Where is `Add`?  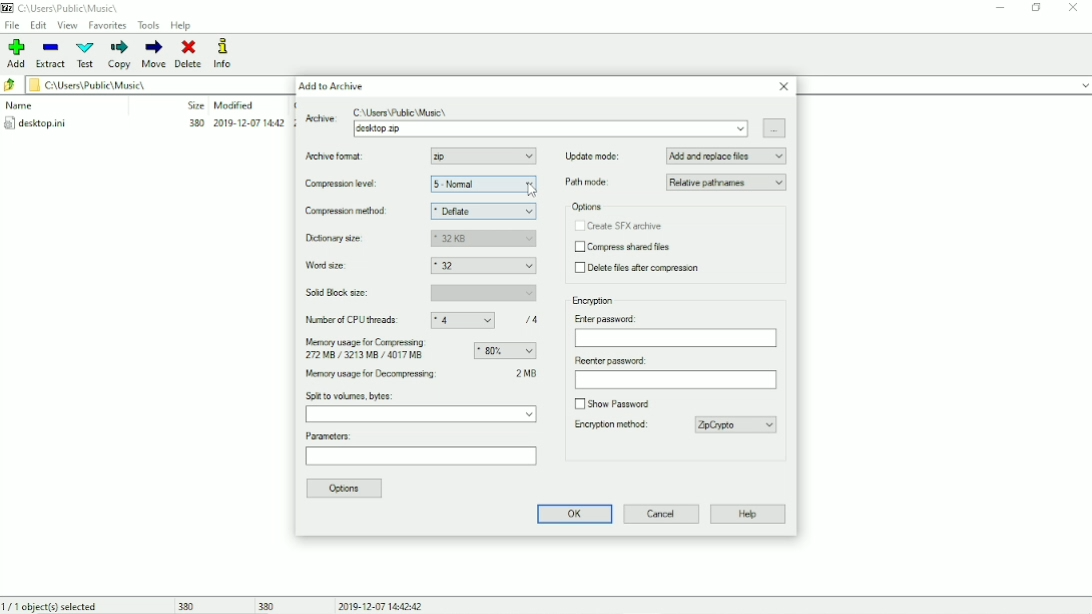 Add is located at coordinates (17, 53).